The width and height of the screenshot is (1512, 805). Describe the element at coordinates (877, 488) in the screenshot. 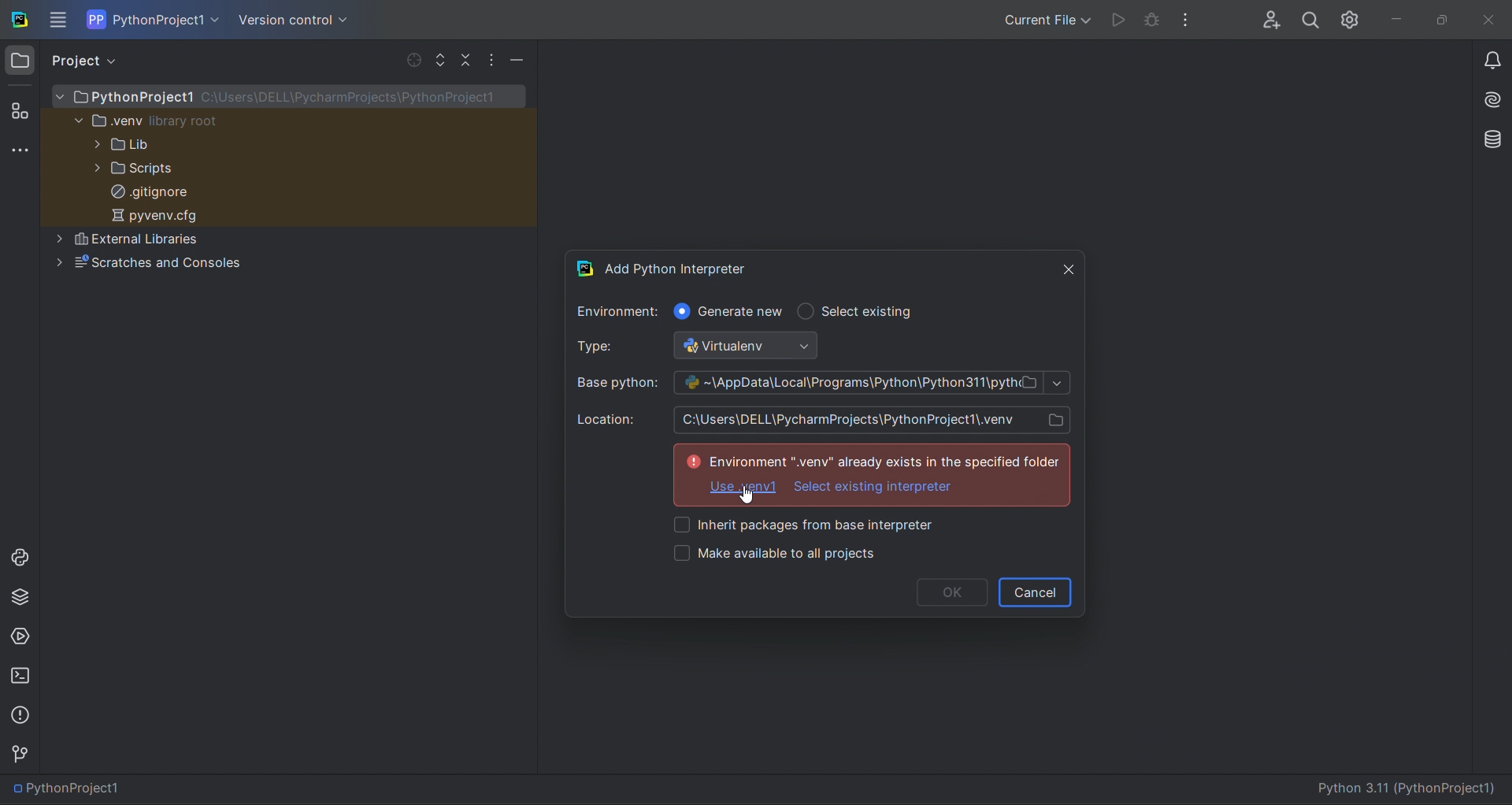

I see `option` at that location.